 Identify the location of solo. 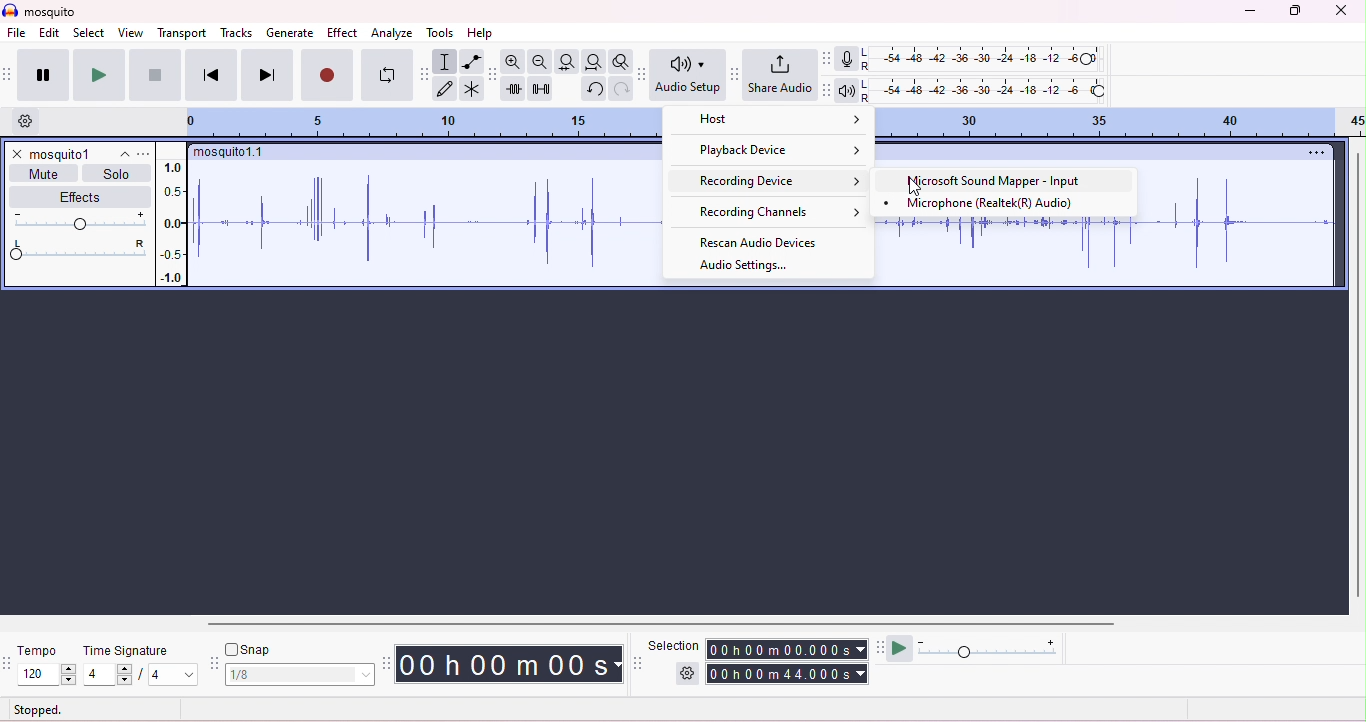
(116, 174).